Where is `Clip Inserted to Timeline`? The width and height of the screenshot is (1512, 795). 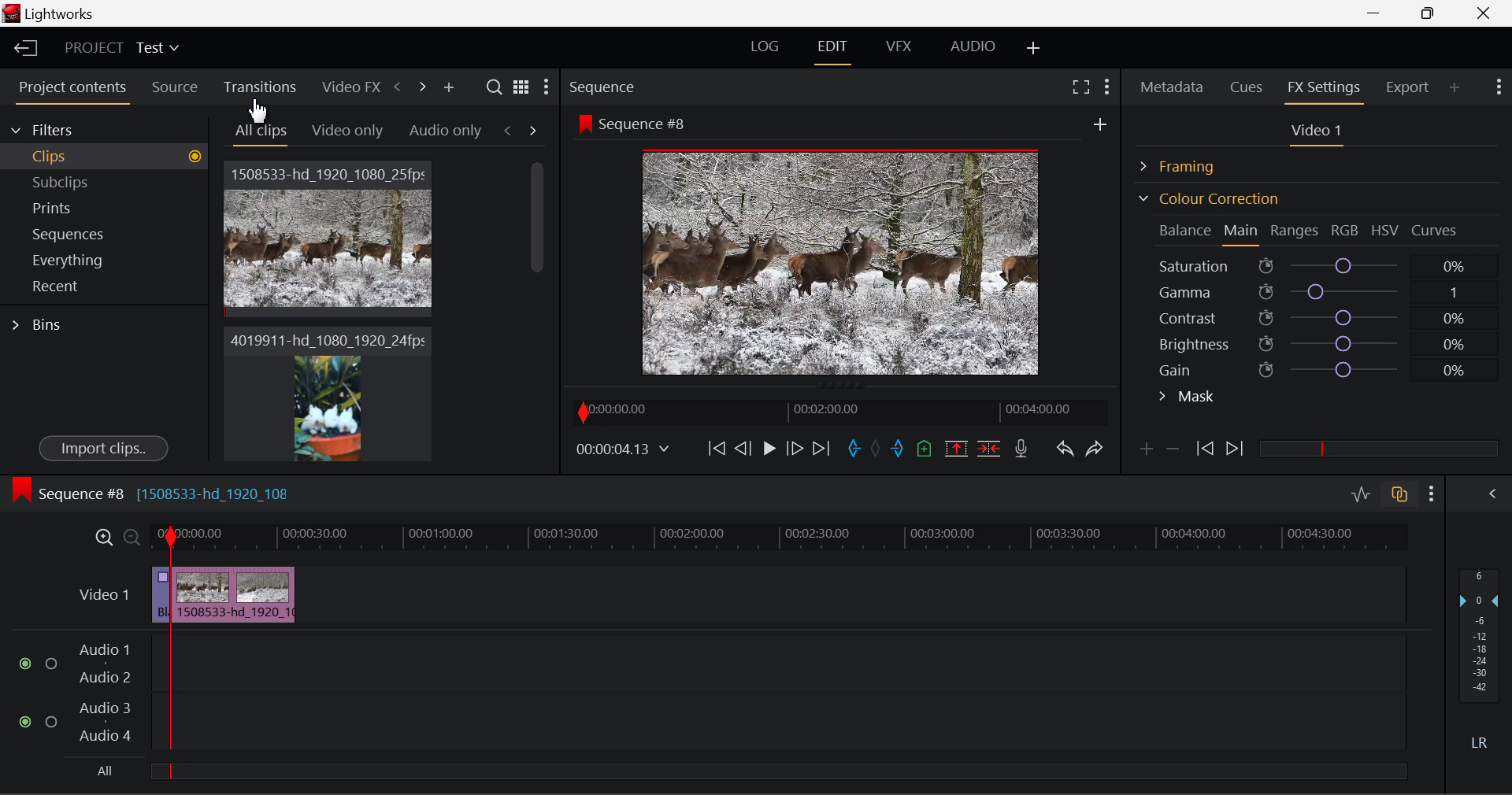 Clip Inserted to Timeline is located at coordinates (233, 593).